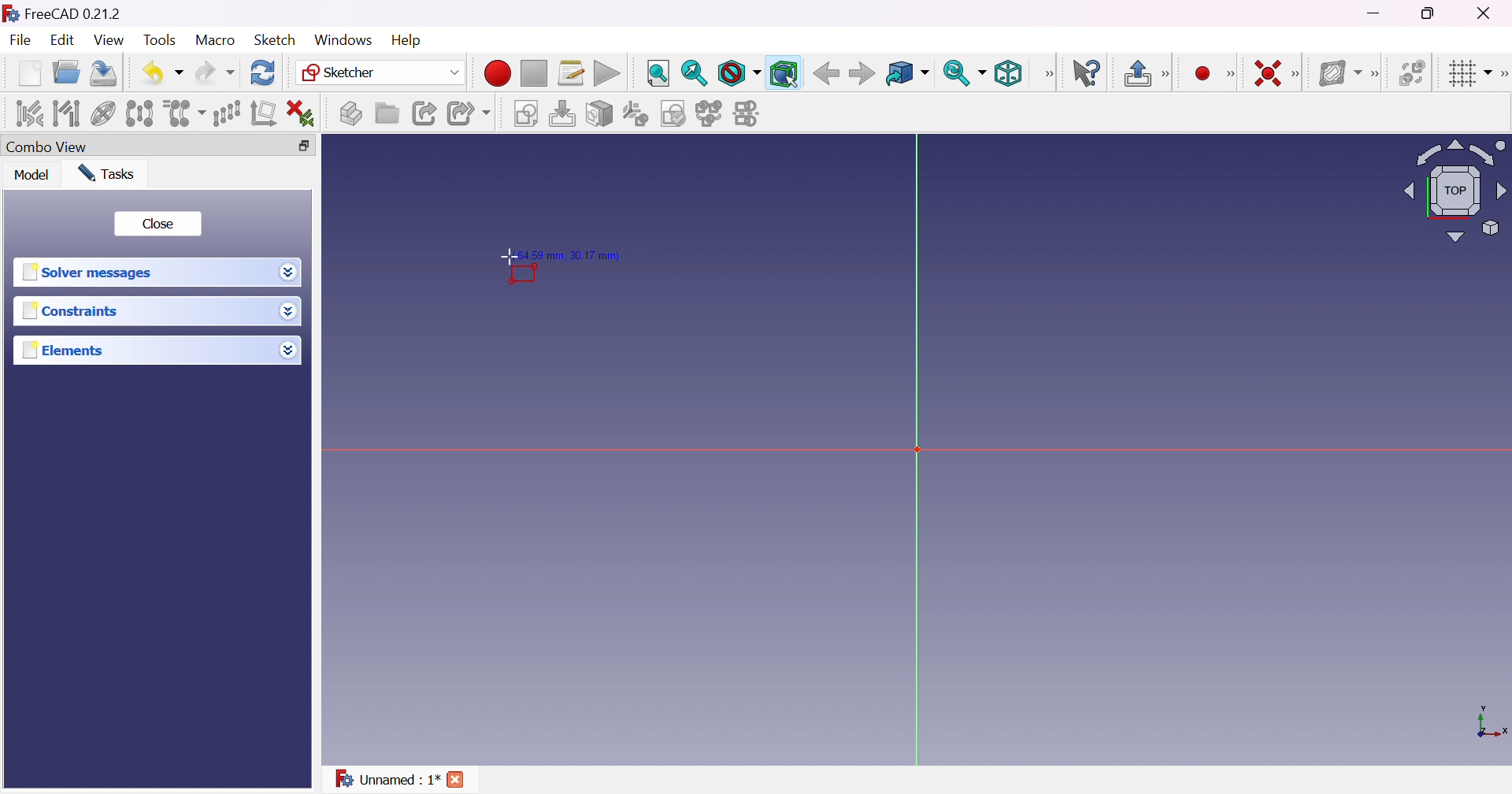 Image resolution: width=1512 pixels, height=794 pixels. Describe the element at coordinates (1455, 191) in the screenshot. I see `Viewing angle` at that location.